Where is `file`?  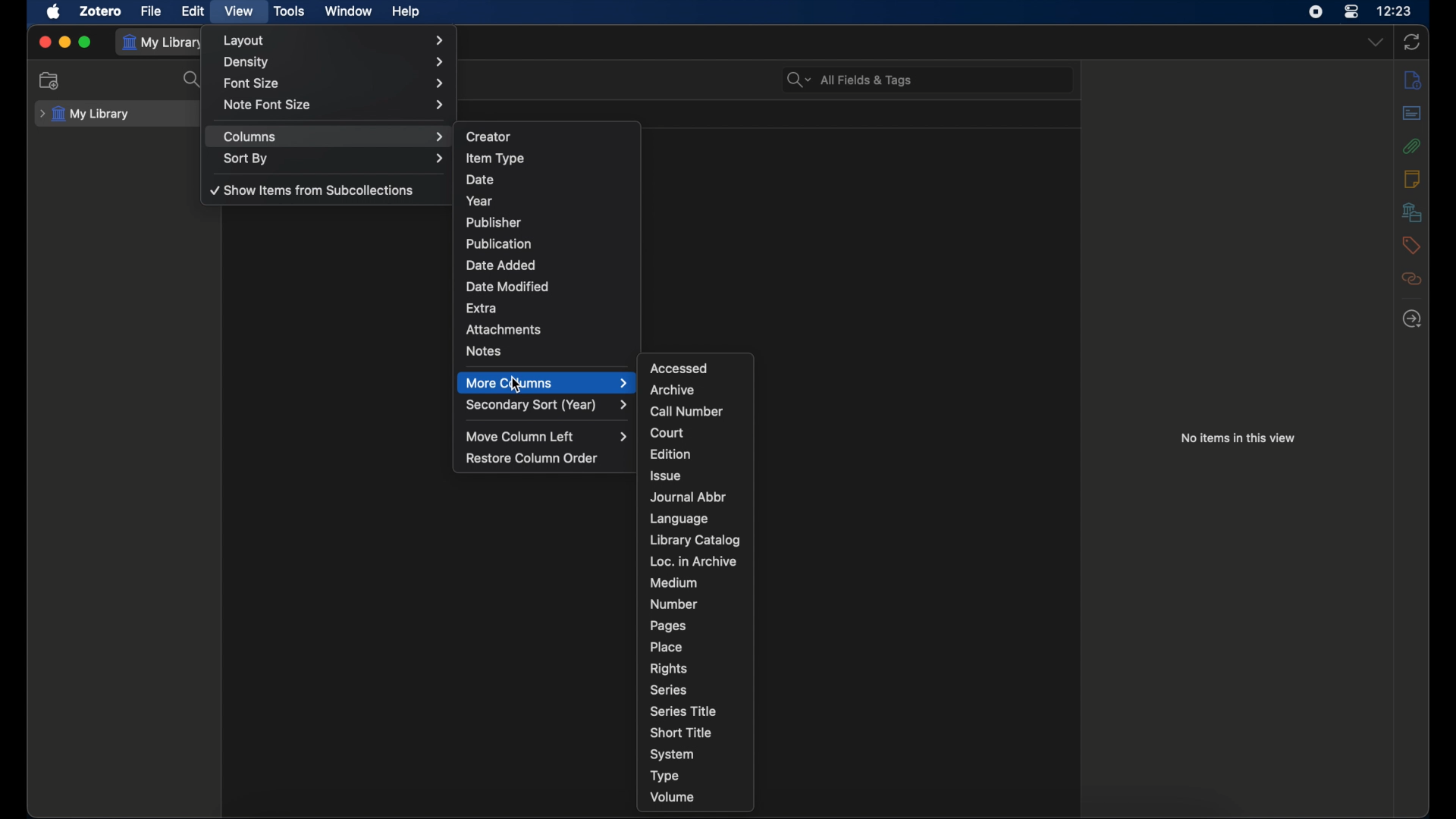 file is located at coordinates (152, 12).